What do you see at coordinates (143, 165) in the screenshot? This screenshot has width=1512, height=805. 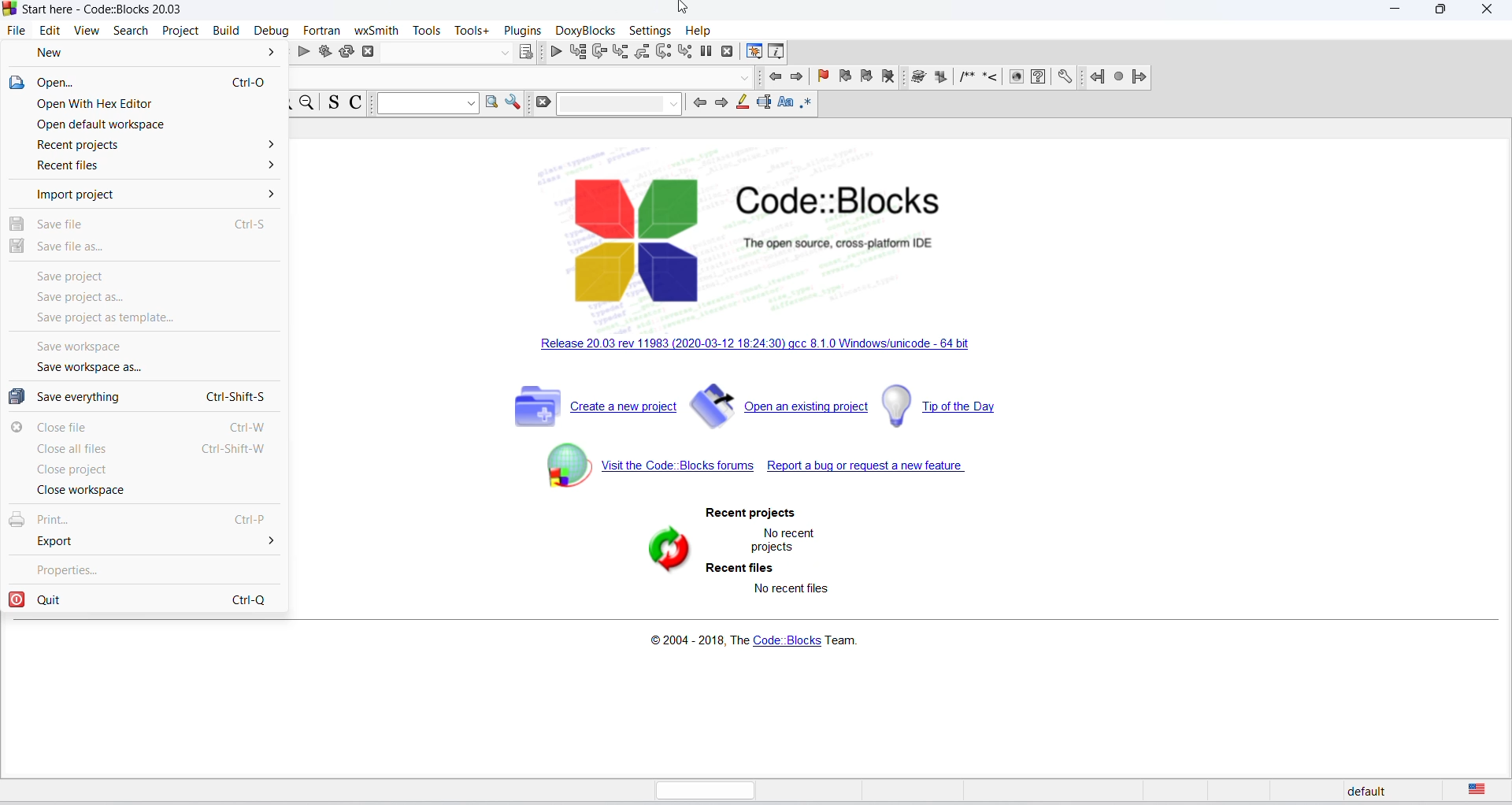 I see `recent files` at bounding box center [143, 165].